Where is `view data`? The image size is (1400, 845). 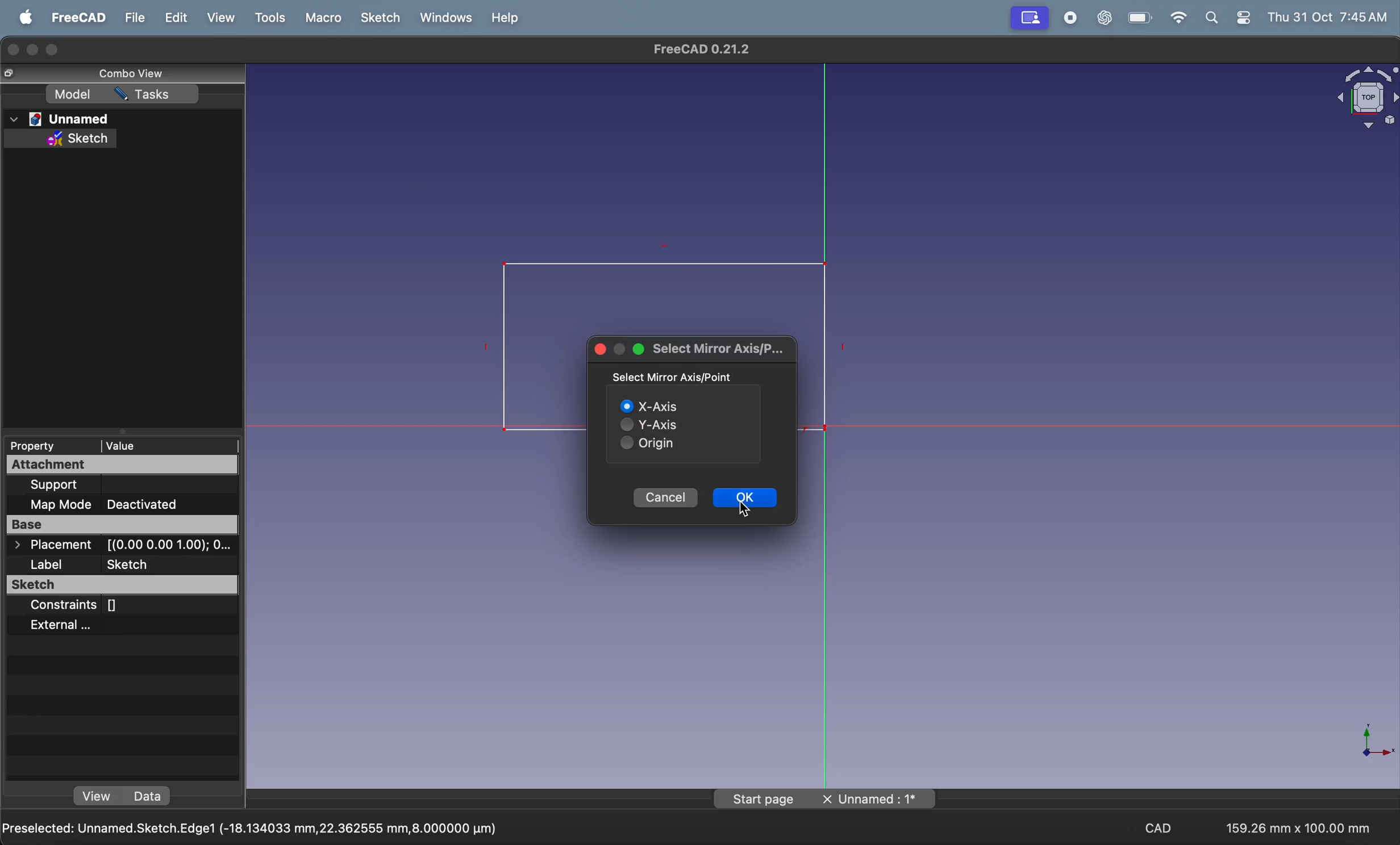
view data is located at coordinates (116, 793).